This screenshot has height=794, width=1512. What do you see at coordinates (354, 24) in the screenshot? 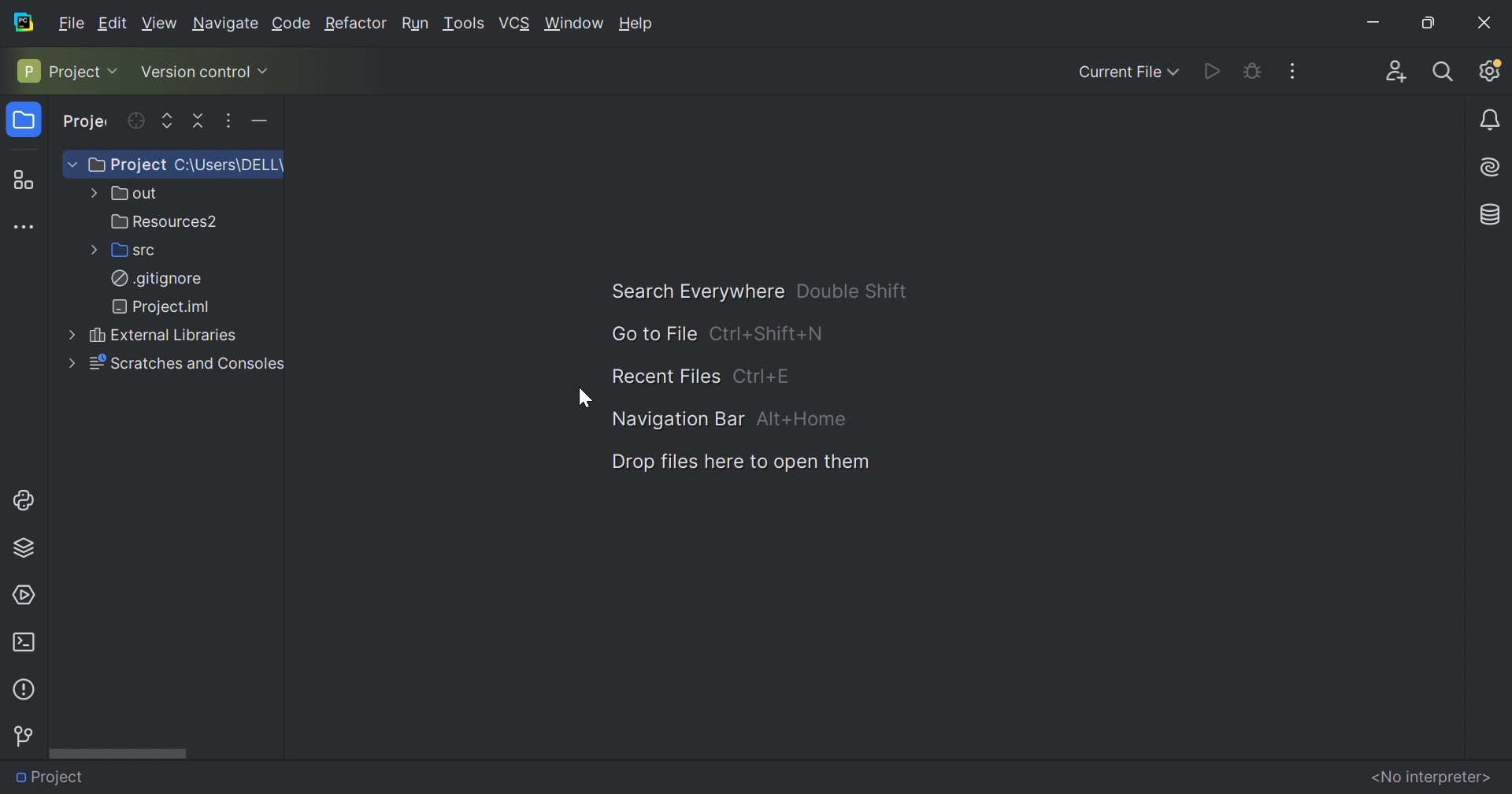
I see `Refactor` at bounding box center [354, 24].